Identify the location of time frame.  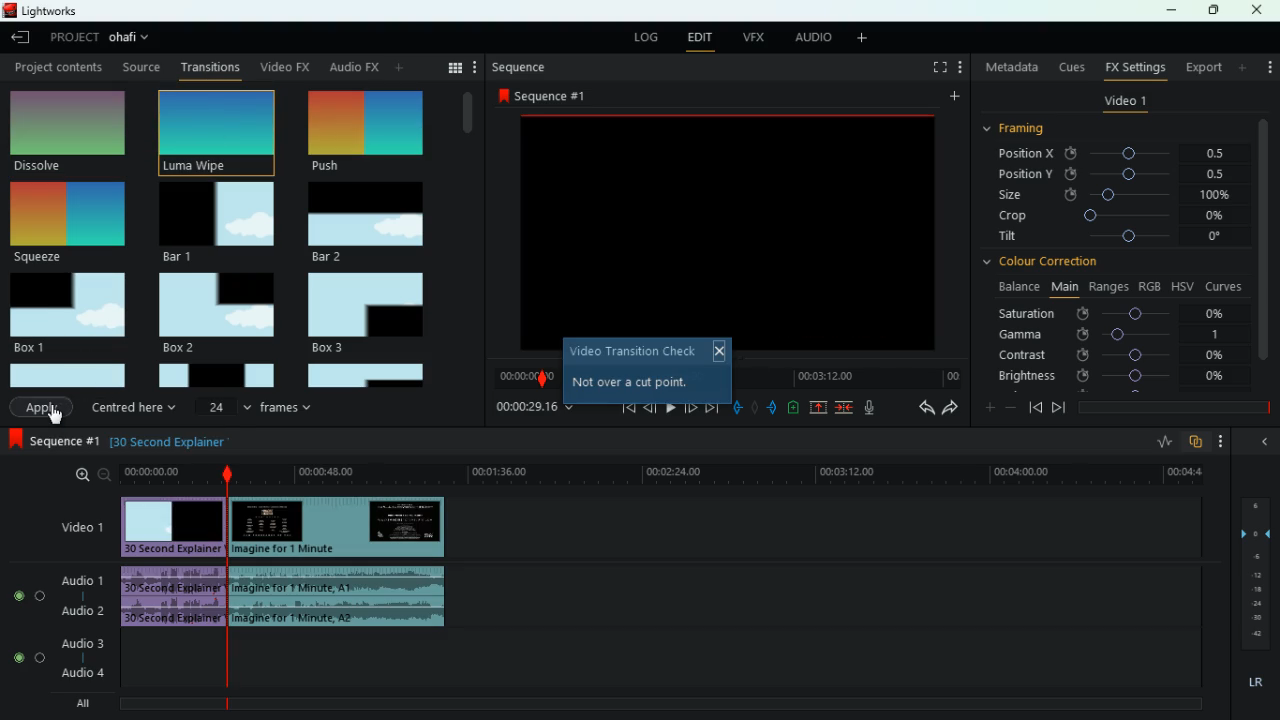
(1174, 408).